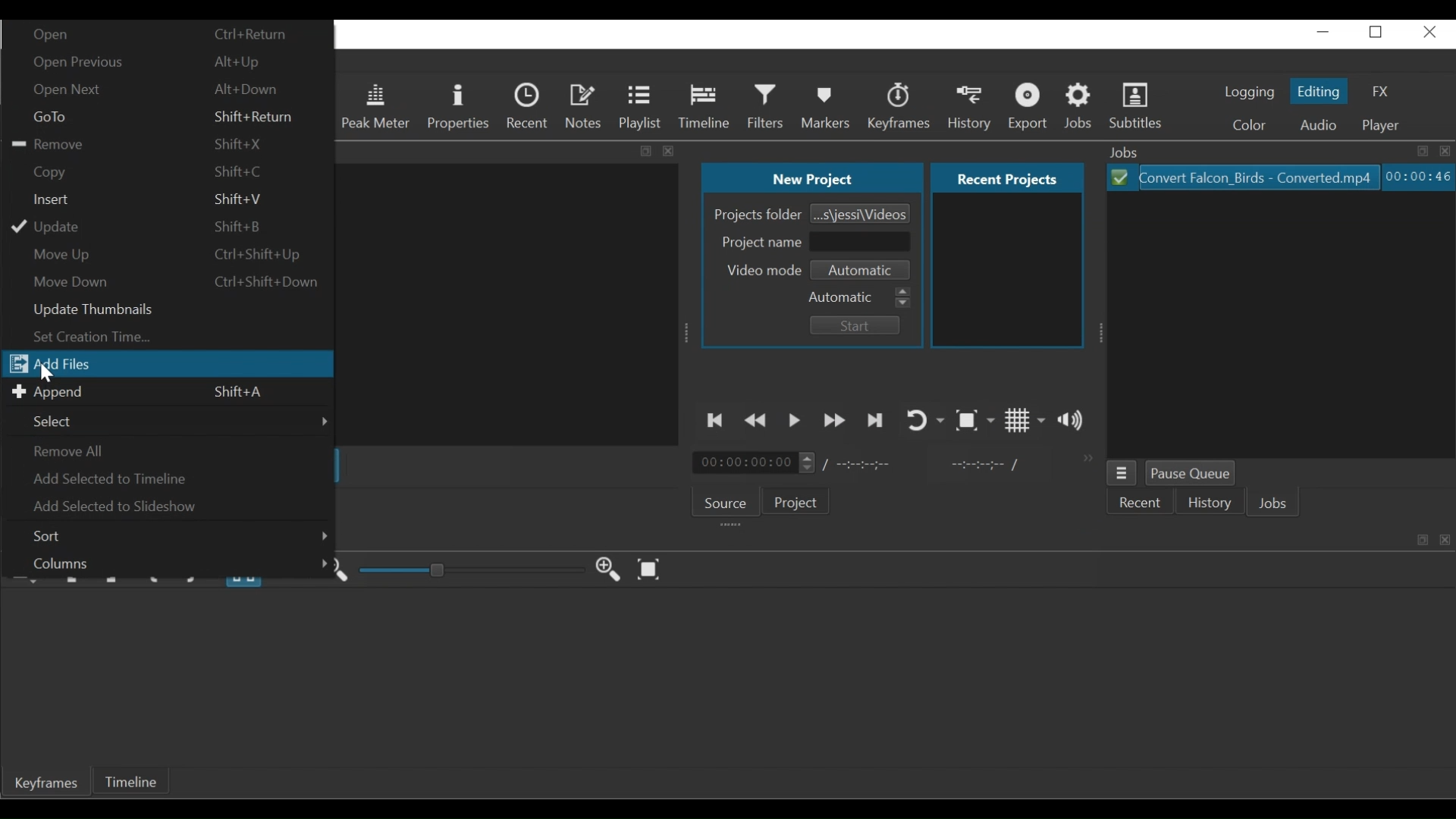 Image resolution: width=1456 pixels, height=819 pixels. What do you see at coordinates (713, 419) in the screenshot?
I see `Skip to the previous point` at bounding box center [713, 419].